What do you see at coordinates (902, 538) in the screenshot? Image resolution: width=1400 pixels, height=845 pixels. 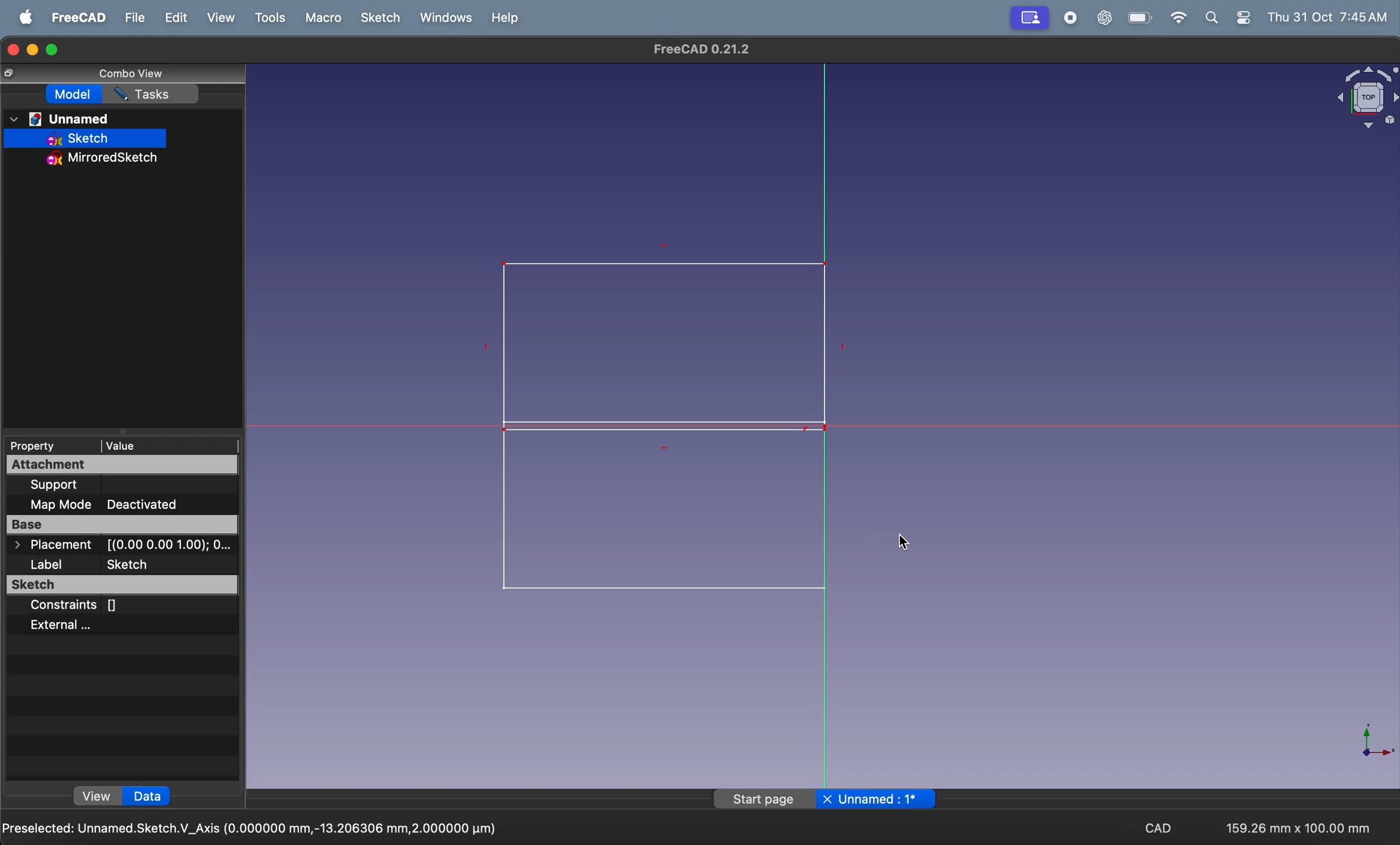 I see `cursor` at bounding box center [902, 538].